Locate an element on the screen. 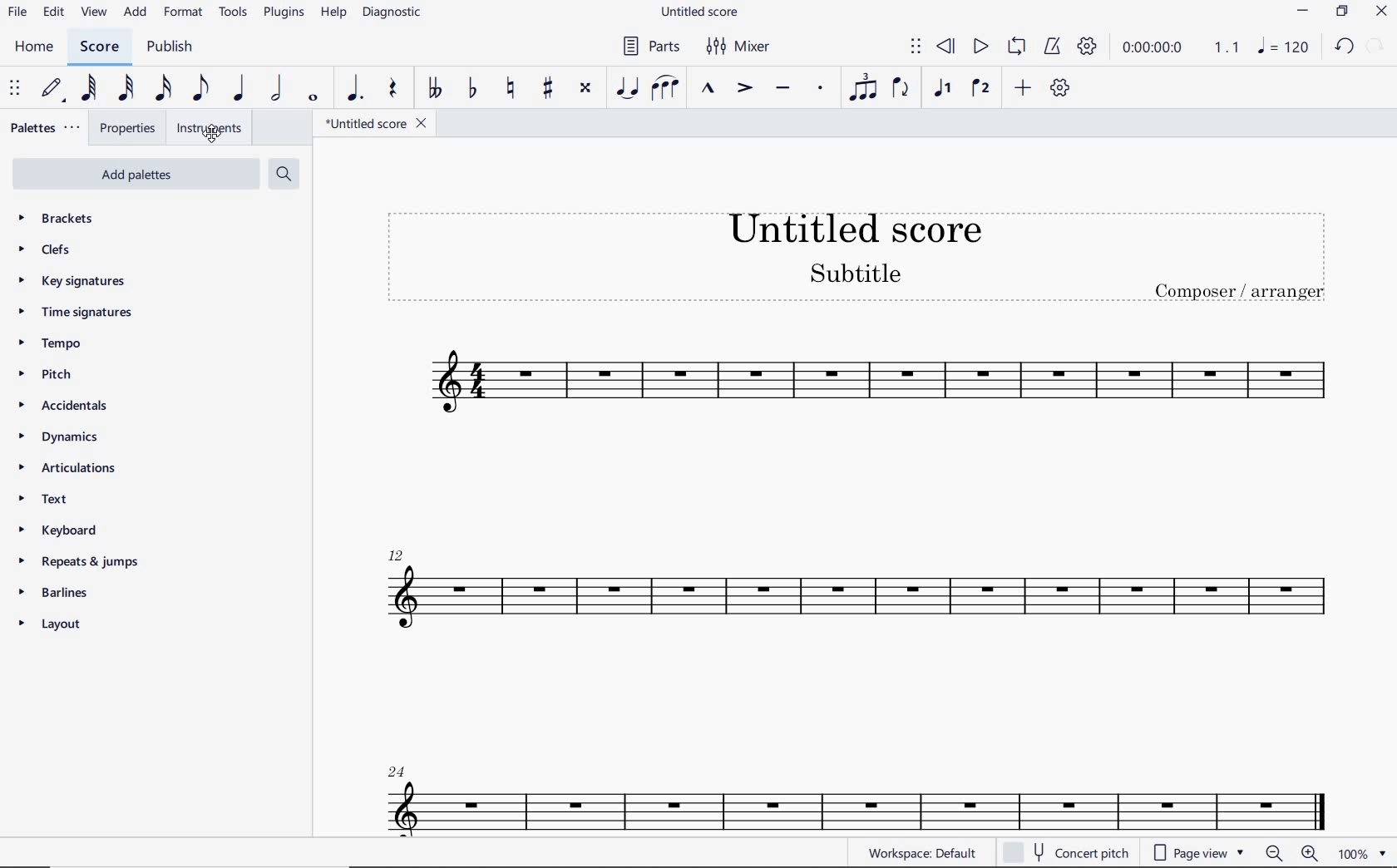 This screenshot has width=1397, height=868. concert pitch is located at coordinates (1069, 852).